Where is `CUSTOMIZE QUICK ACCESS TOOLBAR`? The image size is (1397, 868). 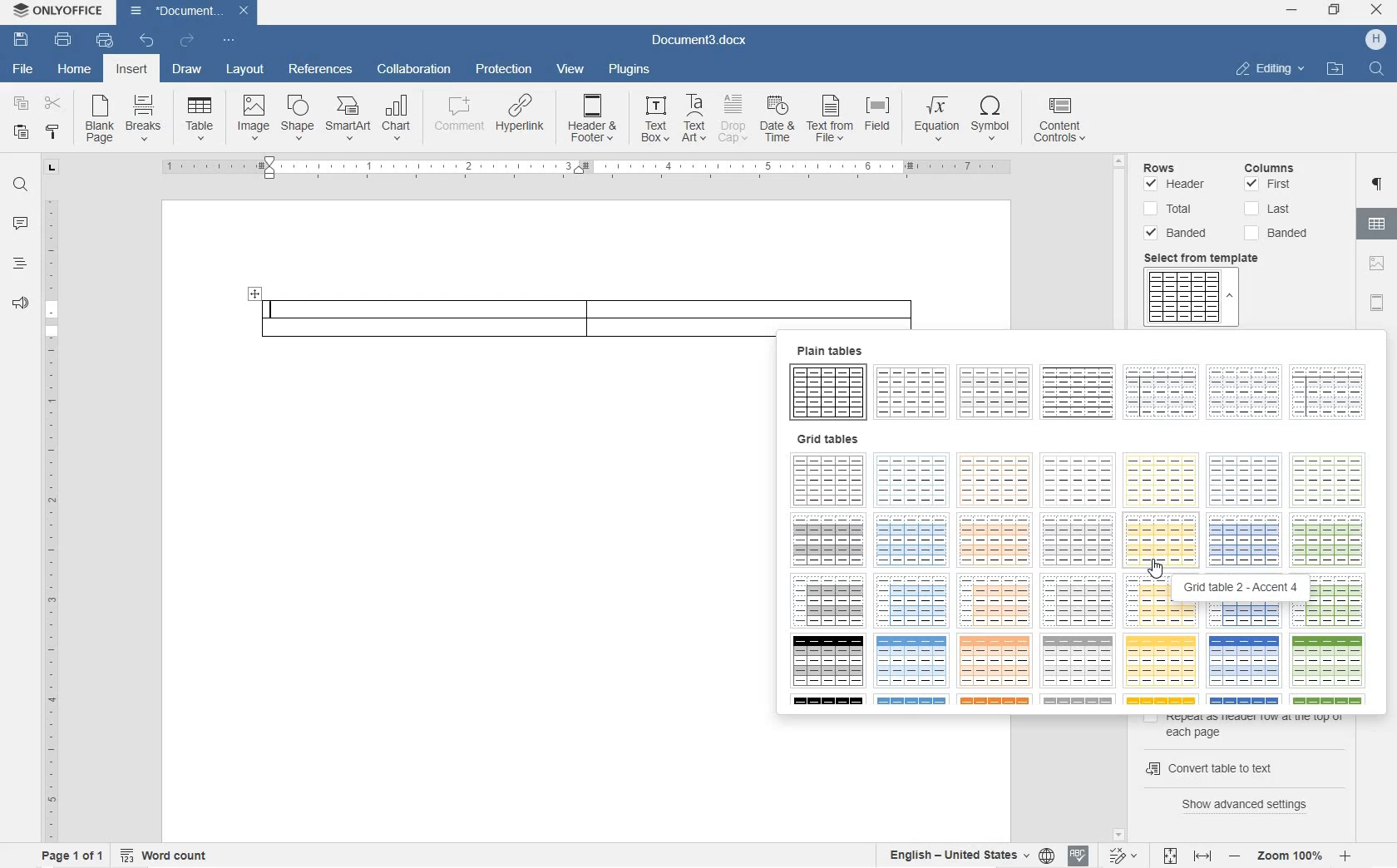 CUSTOMIZE QUICK ACCESS TOOLBAR is located at coordinates (227, 40).